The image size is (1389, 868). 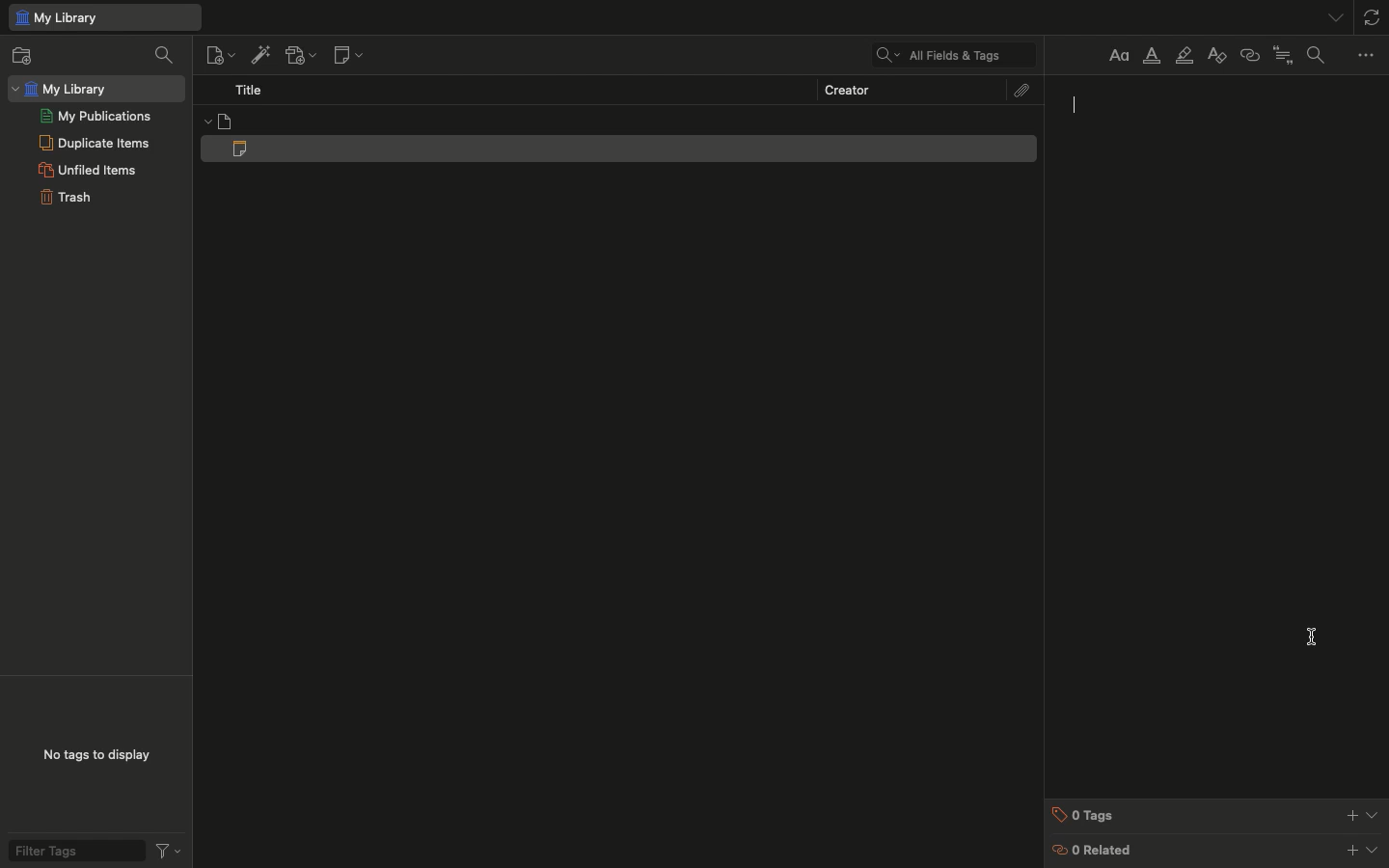 I want to click on New item, so click(x=218, y=55).